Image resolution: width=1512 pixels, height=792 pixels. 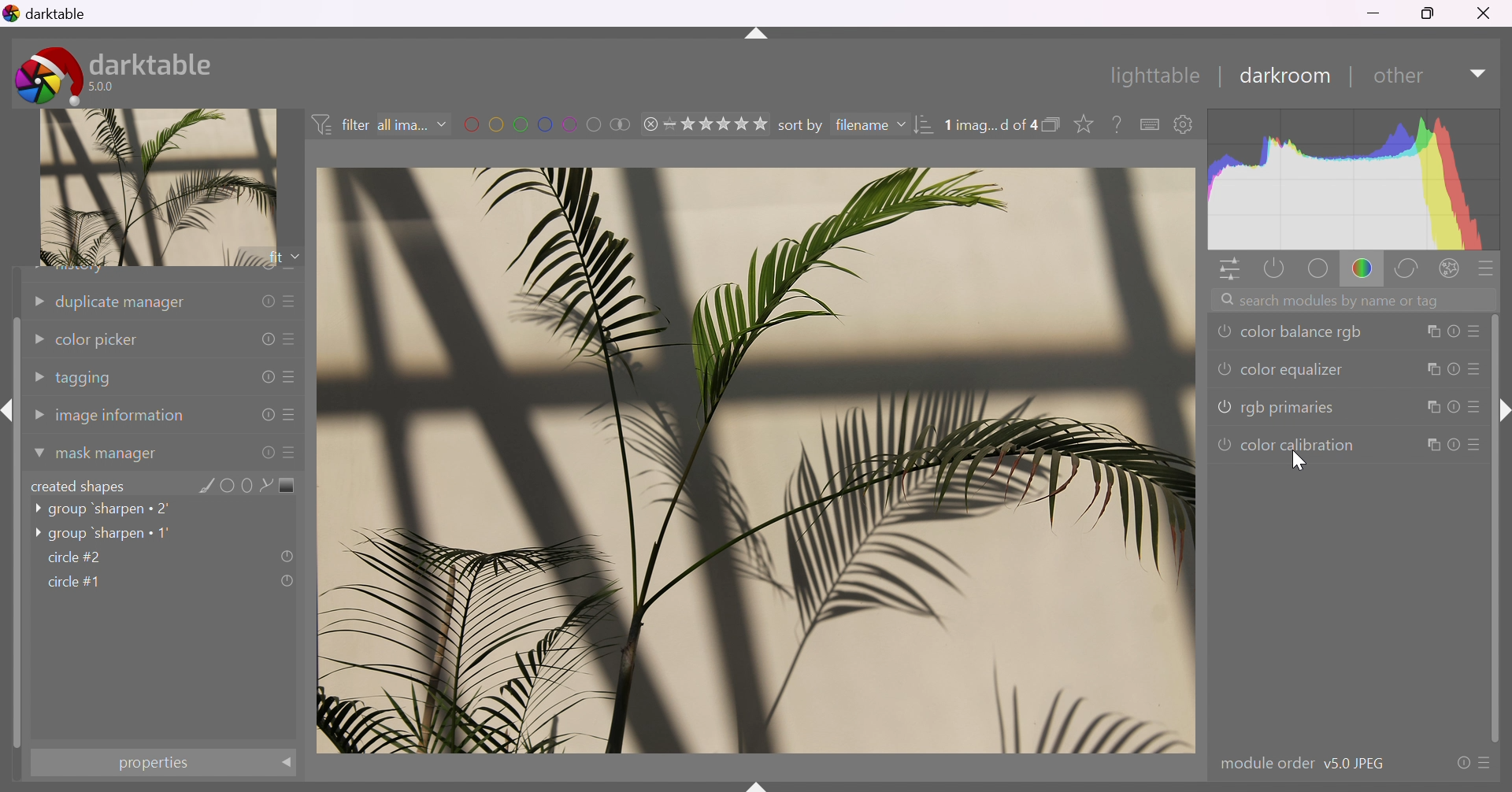 What do you see at coordinates (1148, 125) in the screenshot?
I see `keyboard shortcuts` at bounding box center [1148, 125].